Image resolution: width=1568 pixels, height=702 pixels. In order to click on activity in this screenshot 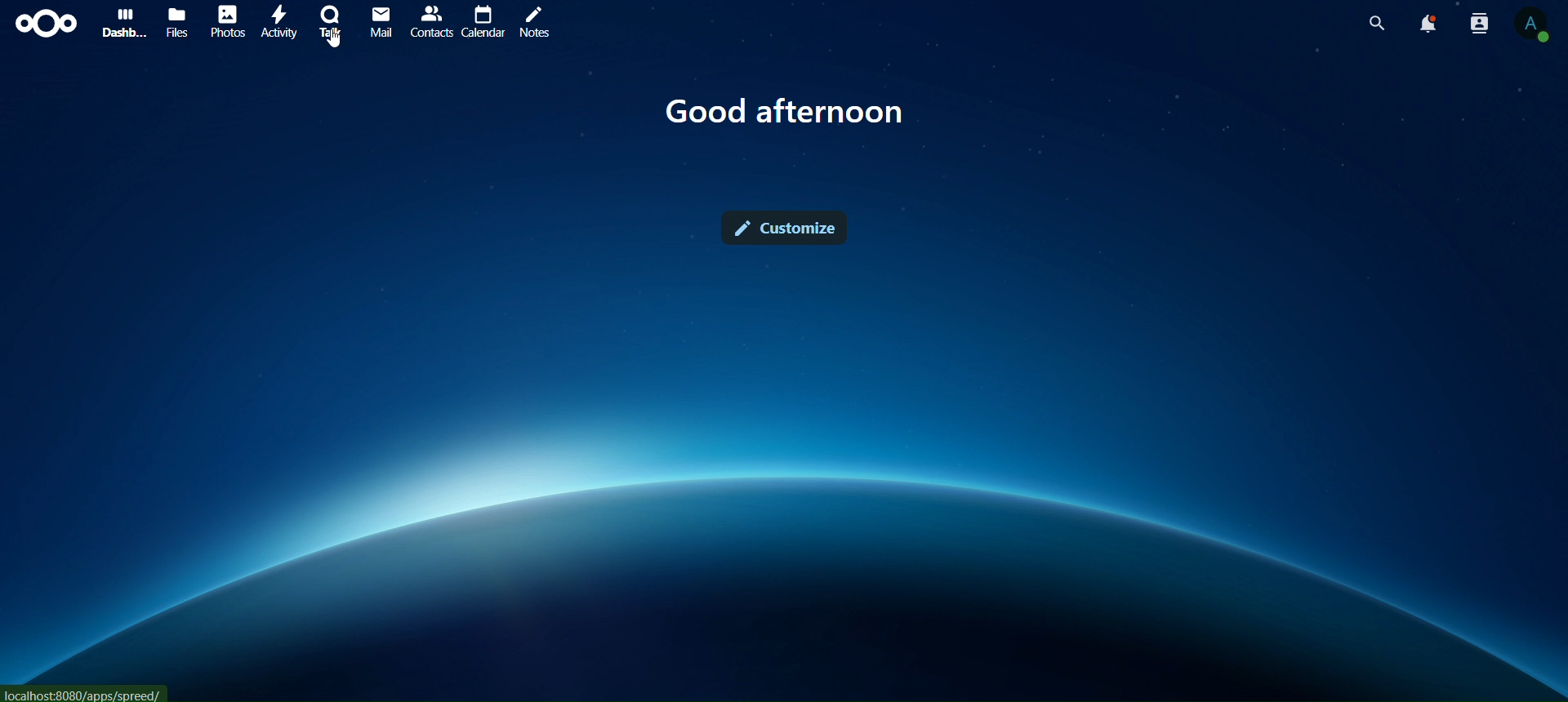, I will do `click(283, 24)`.